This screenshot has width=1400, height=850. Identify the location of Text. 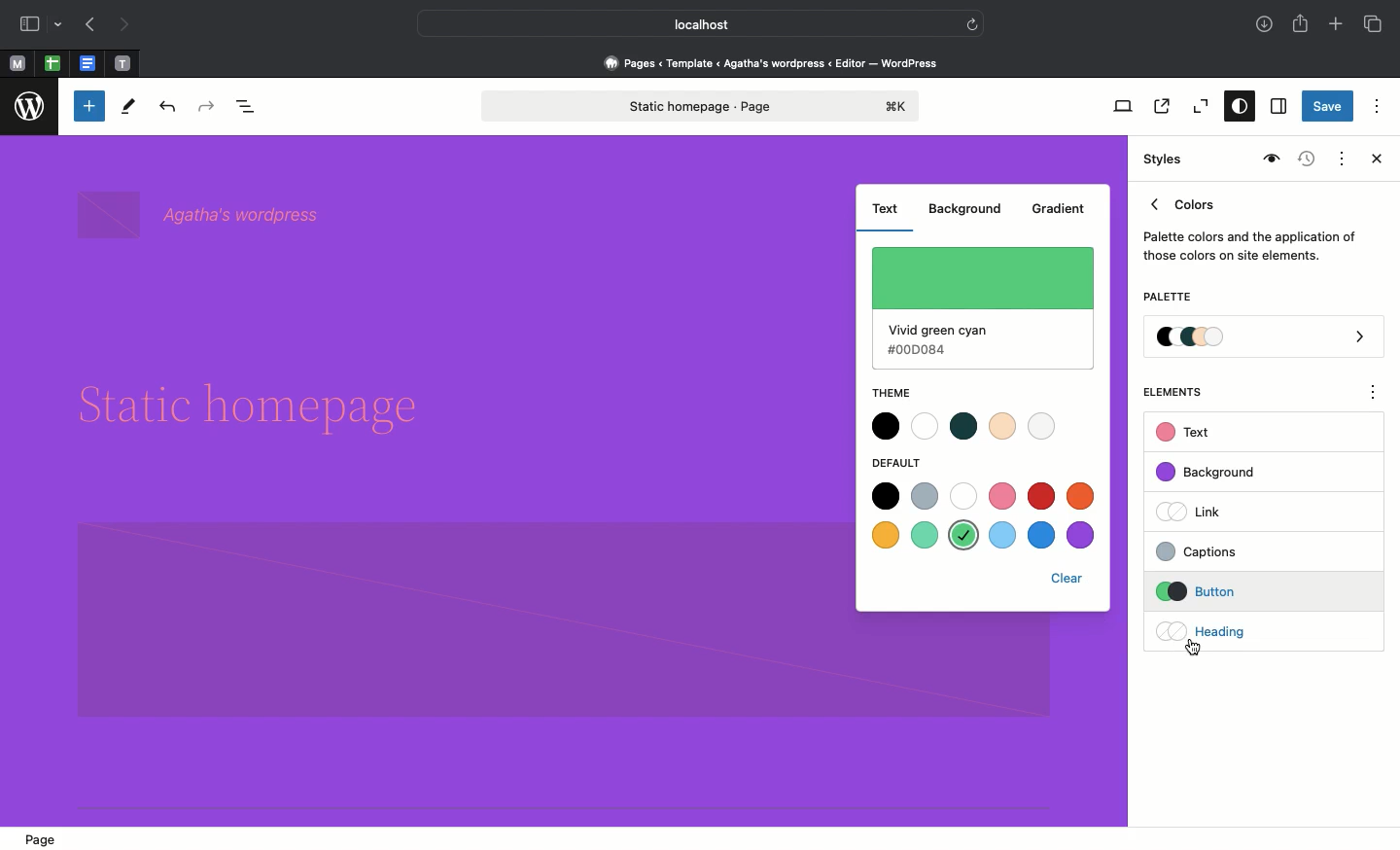
(885, 209).